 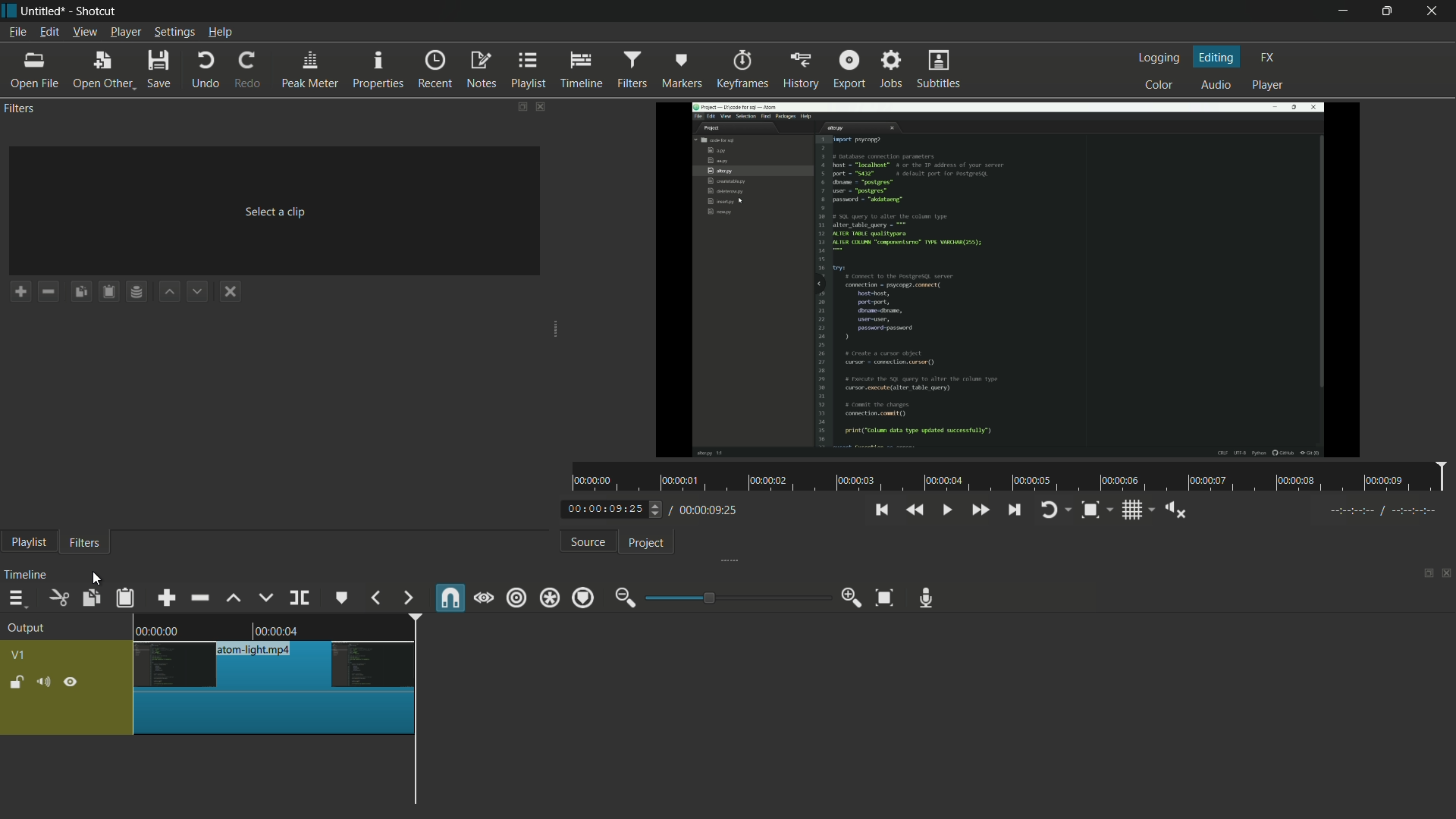 I want to click on app name, so click(x=97, y=11).